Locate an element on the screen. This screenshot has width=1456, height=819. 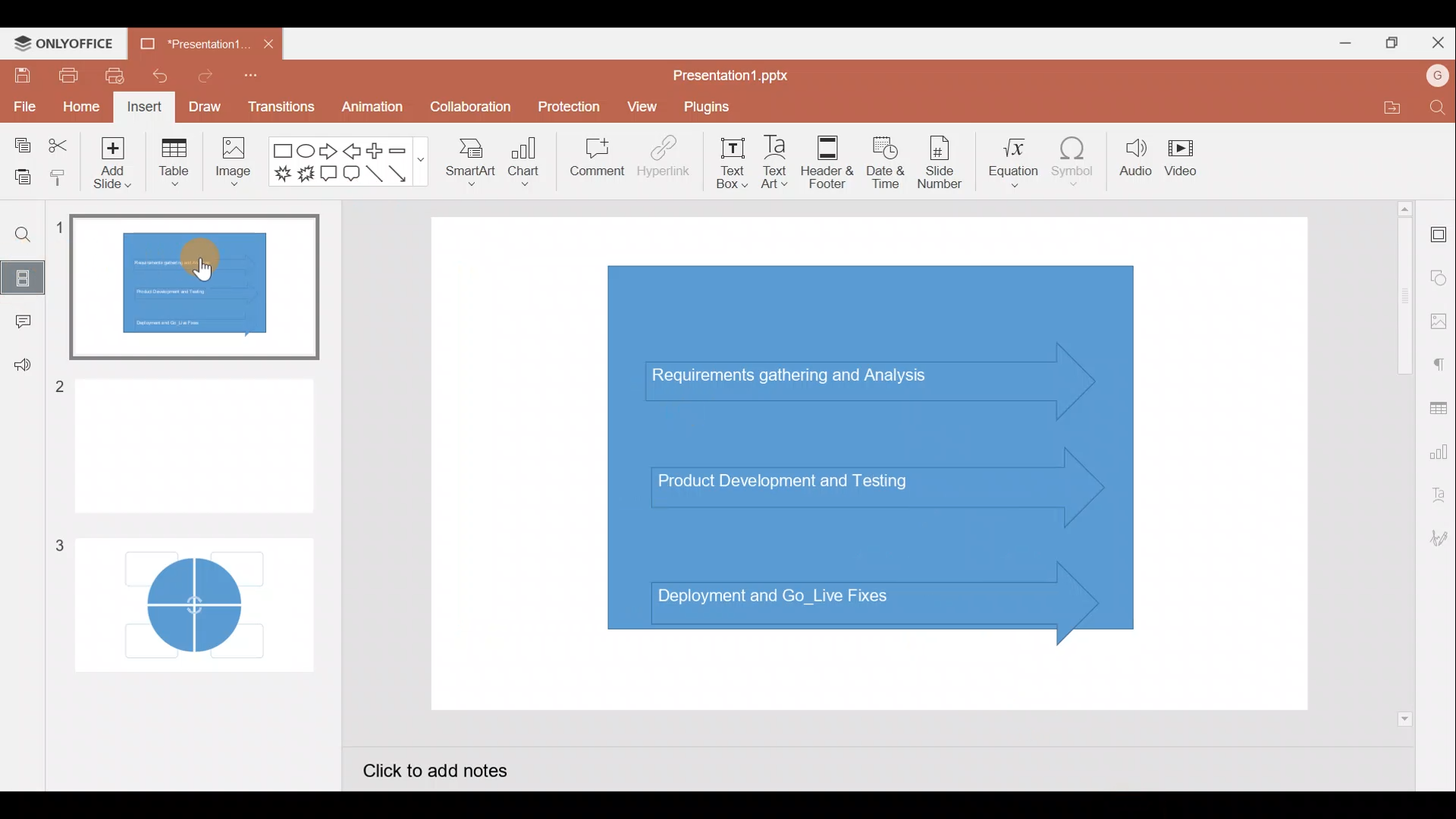
Find is located at coordinates (26, 236).